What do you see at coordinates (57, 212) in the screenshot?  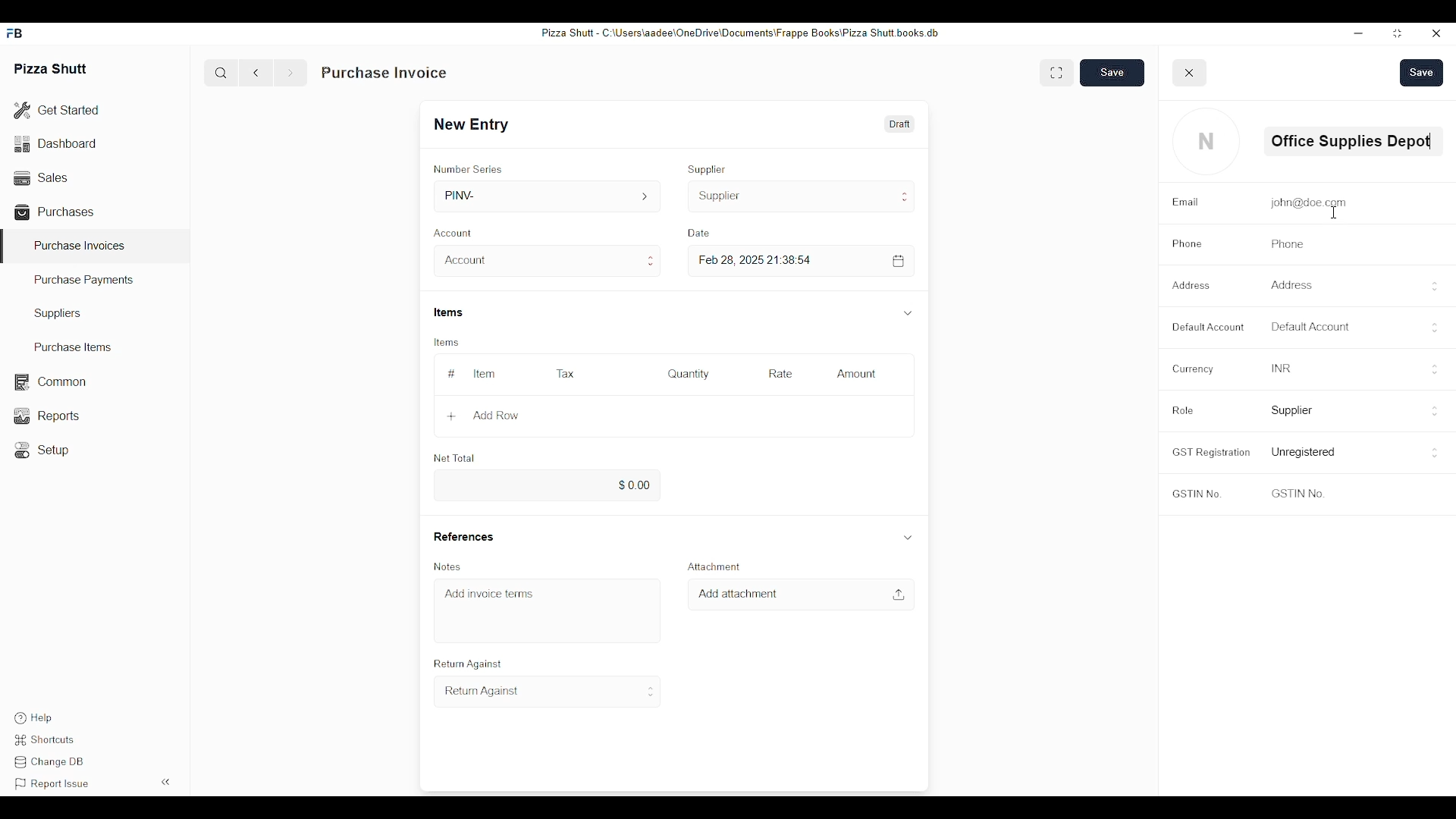 I see `Purchases` at bounding box center [57, 212].